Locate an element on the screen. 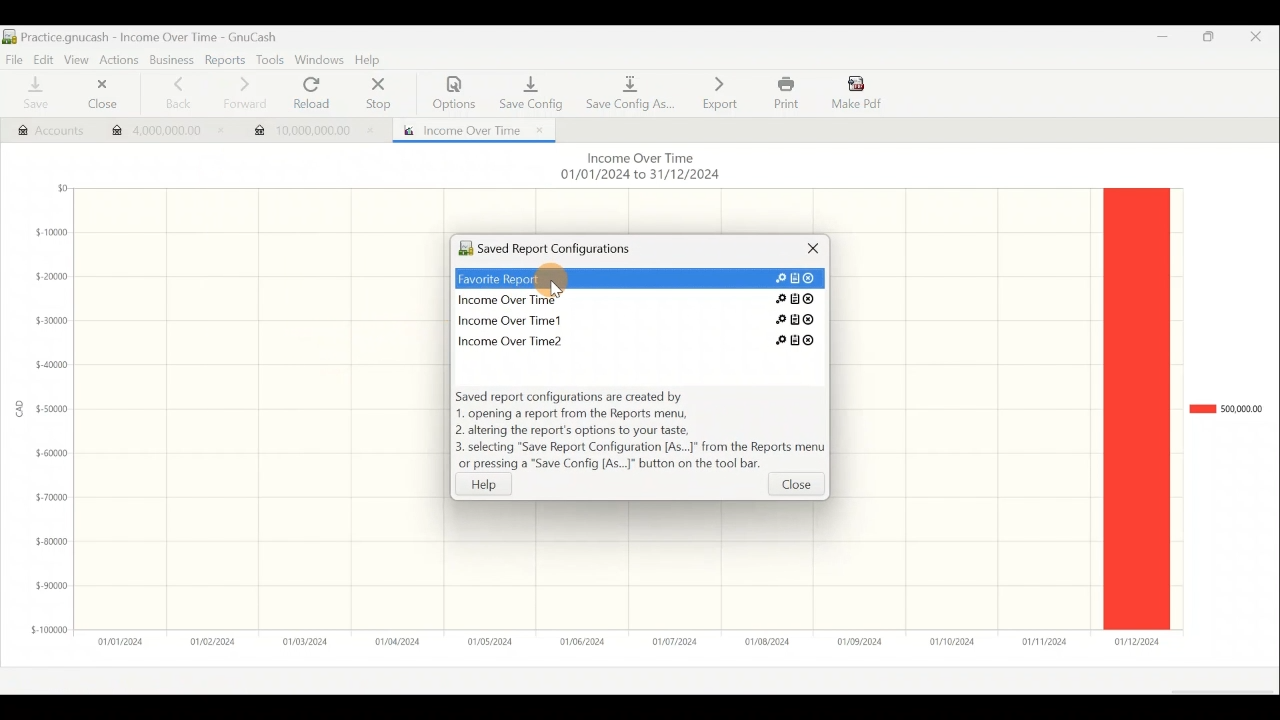  Cursor is located at coordinates (556, 285).